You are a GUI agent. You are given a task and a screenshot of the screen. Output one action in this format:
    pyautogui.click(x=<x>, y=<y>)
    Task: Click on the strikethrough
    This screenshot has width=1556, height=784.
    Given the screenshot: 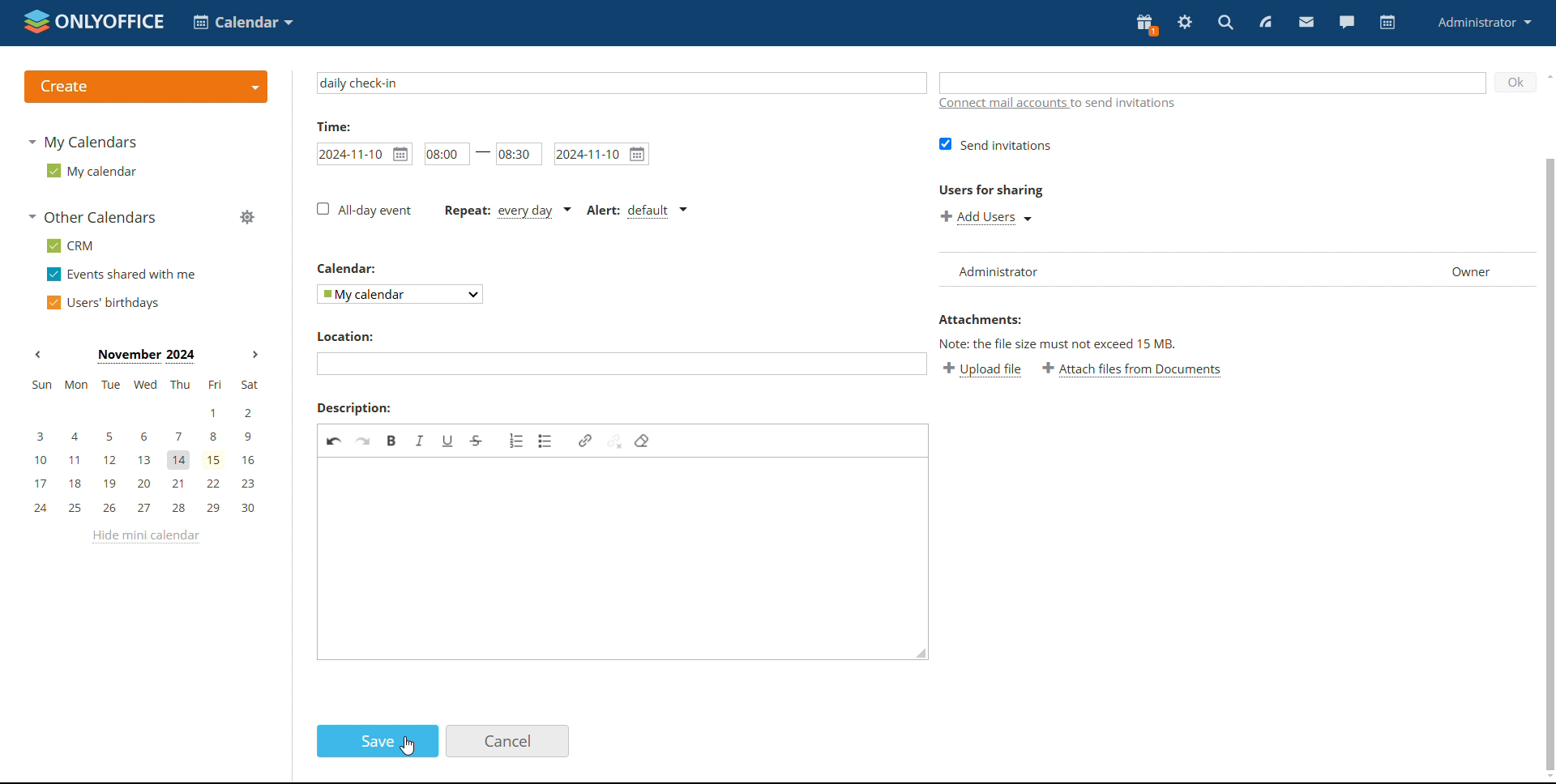 What is the action you would take?
    pyautogui.click(x=478, y=441)
    